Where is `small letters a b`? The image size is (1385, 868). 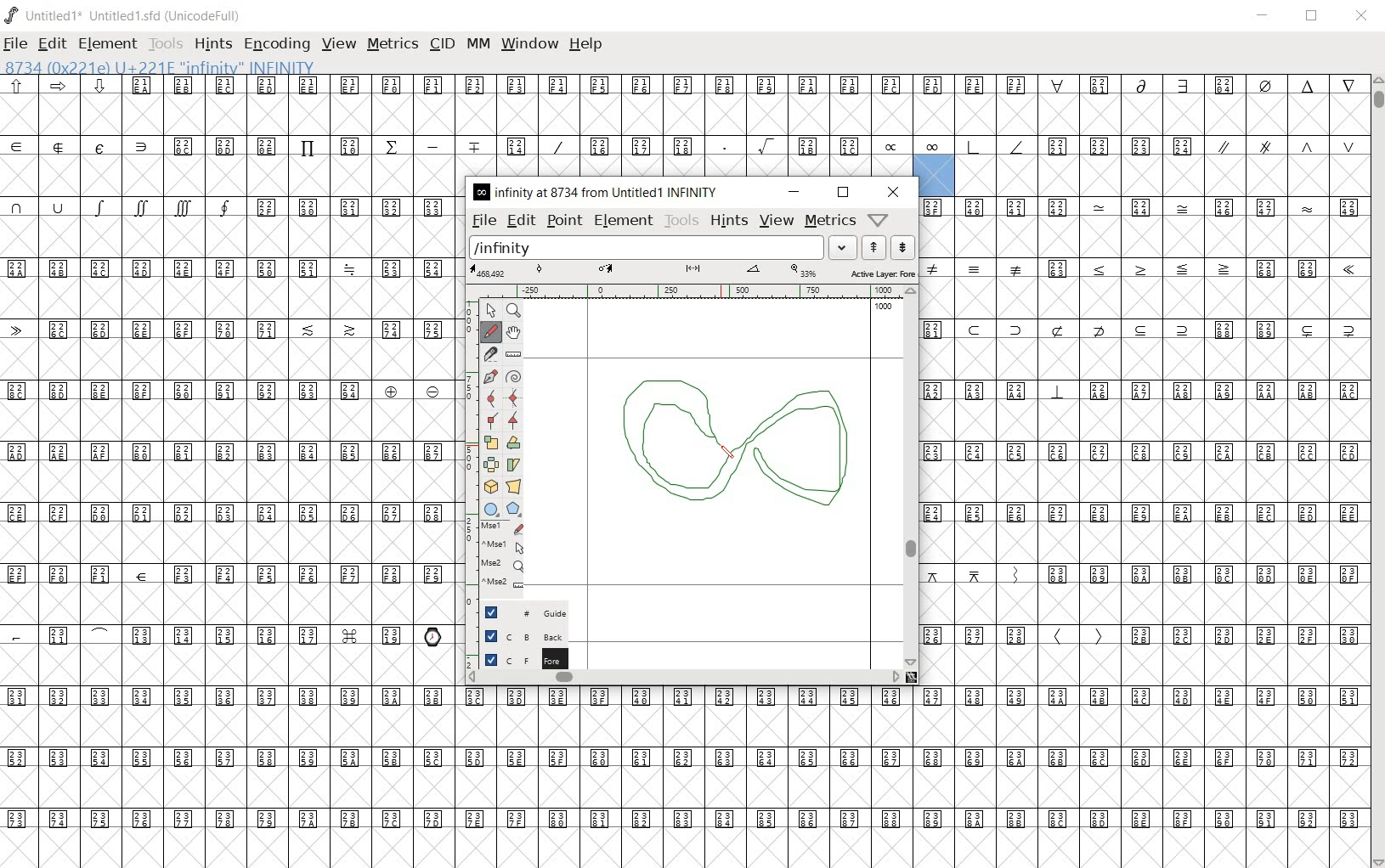 small letters a b is located at coordinates (1354, 206).